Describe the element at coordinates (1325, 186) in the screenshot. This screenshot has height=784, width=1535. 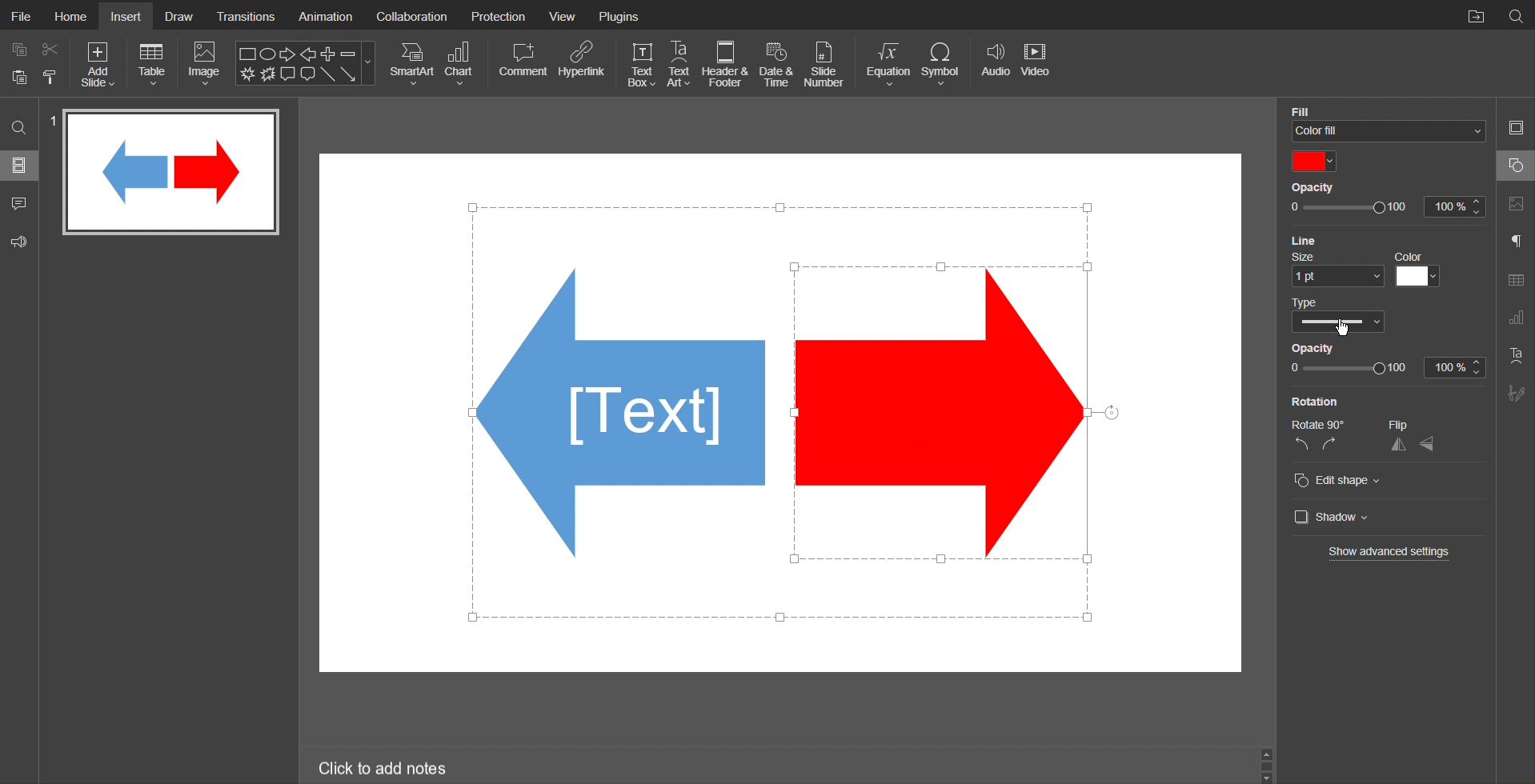
I see `Opacity` at that location.